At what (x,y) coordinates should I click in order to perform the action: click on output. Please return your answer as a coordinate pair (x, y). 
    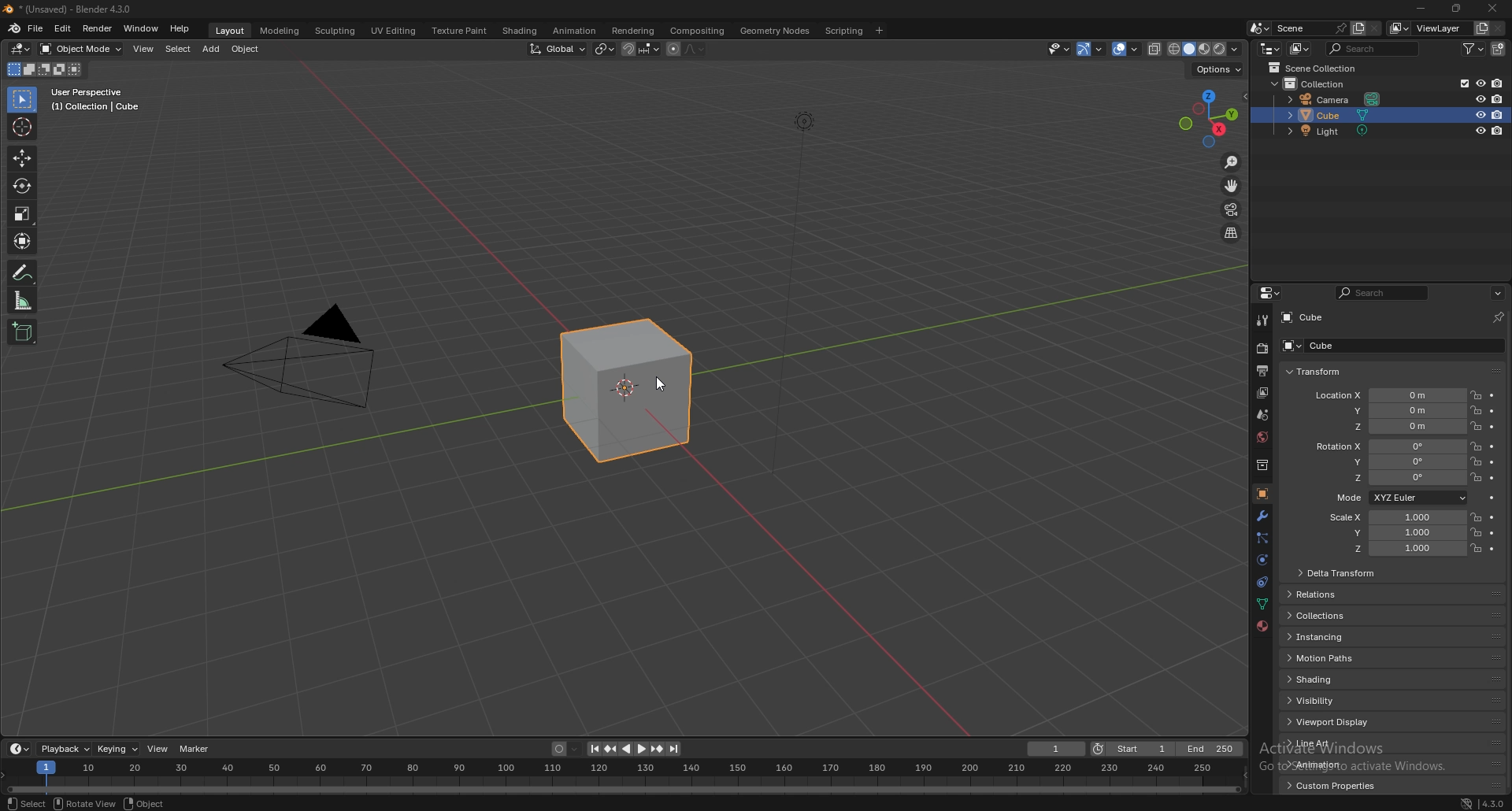
    Looking at the image, I should click on (1262, 371).